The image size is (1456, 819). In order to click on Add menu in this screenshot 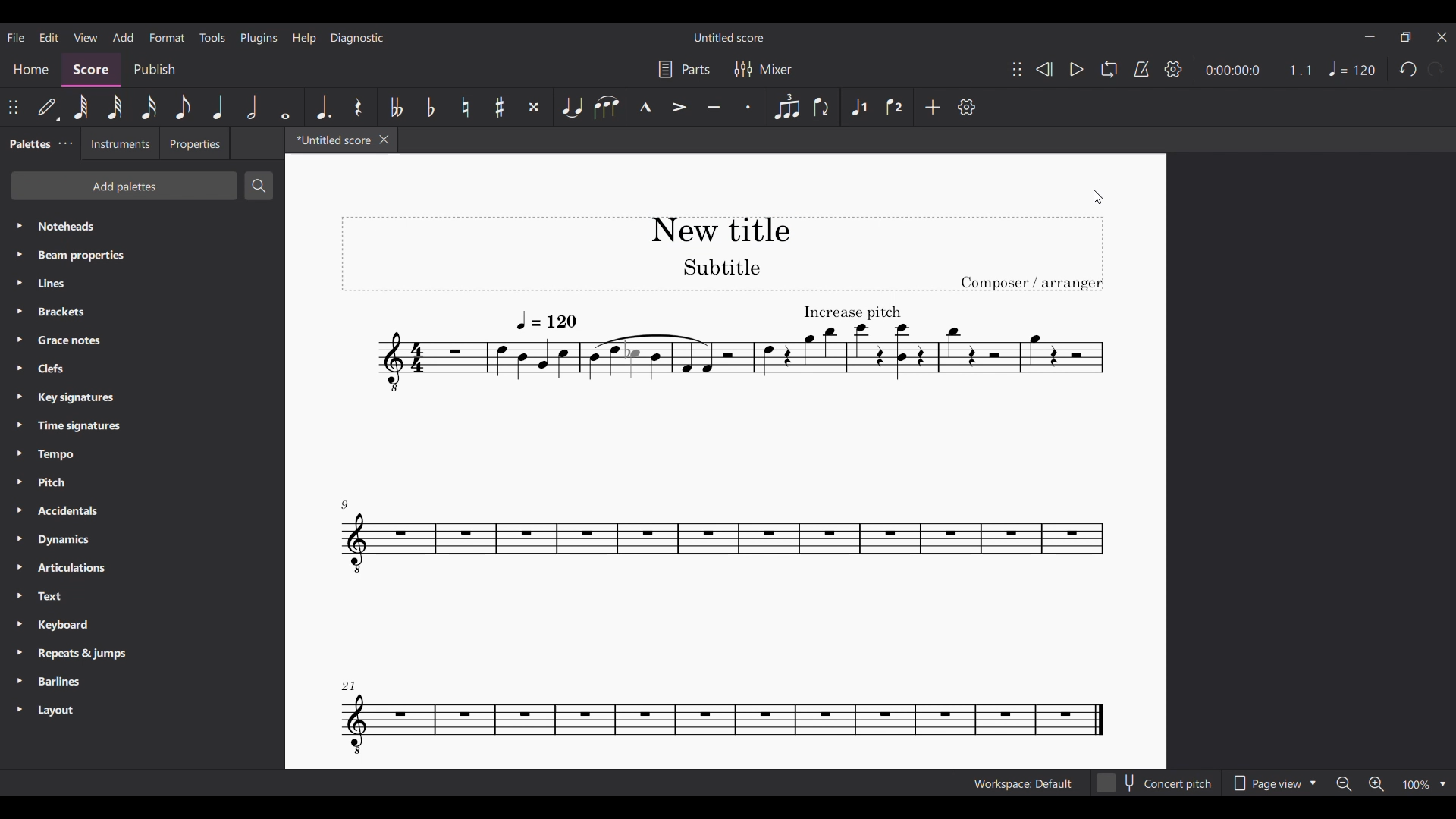, I will do `click(123, 37)`.